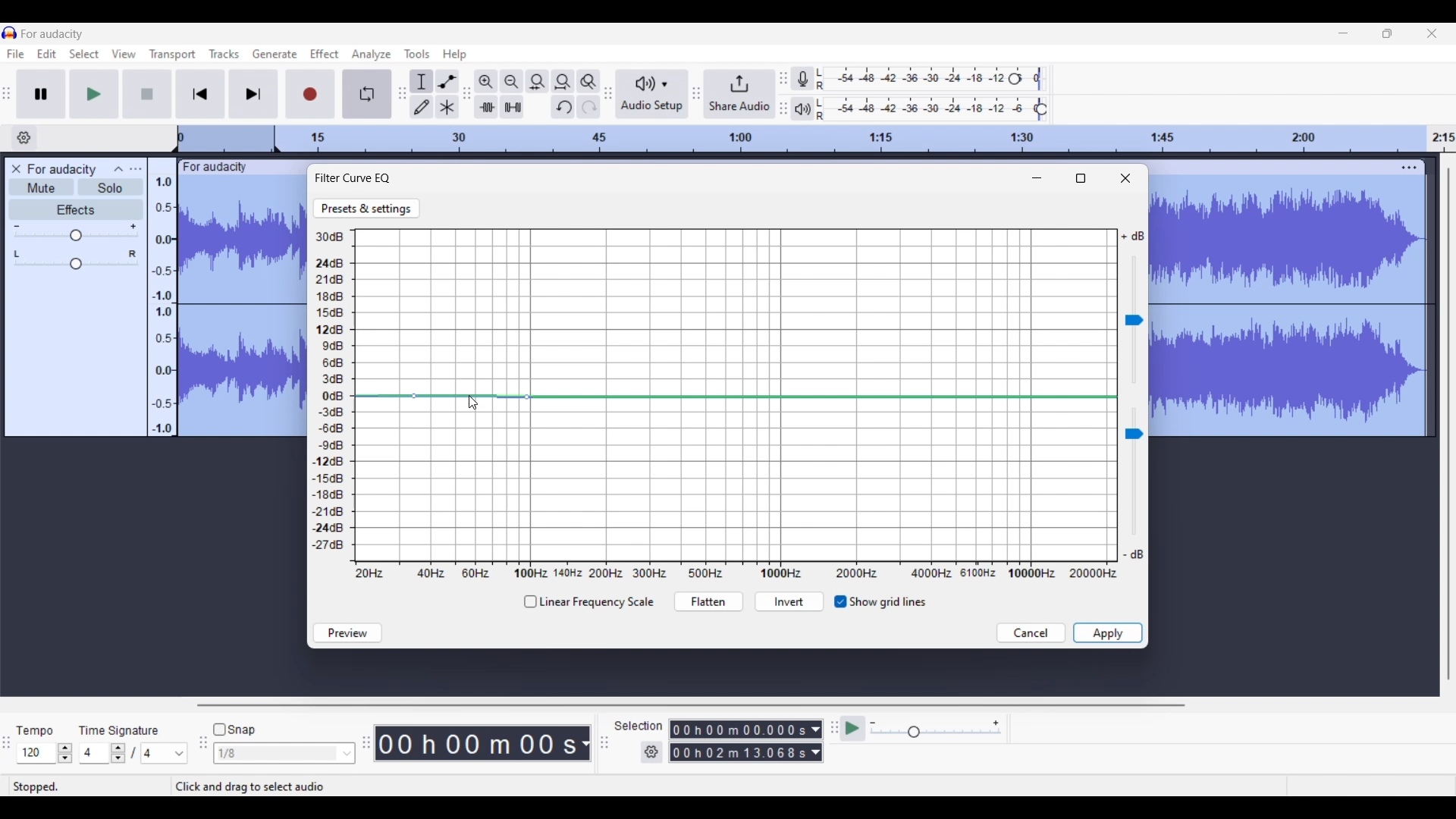  Describe the element at coordinates (315, 95) in the screenshot. I see `Record/Record new track` at that location.